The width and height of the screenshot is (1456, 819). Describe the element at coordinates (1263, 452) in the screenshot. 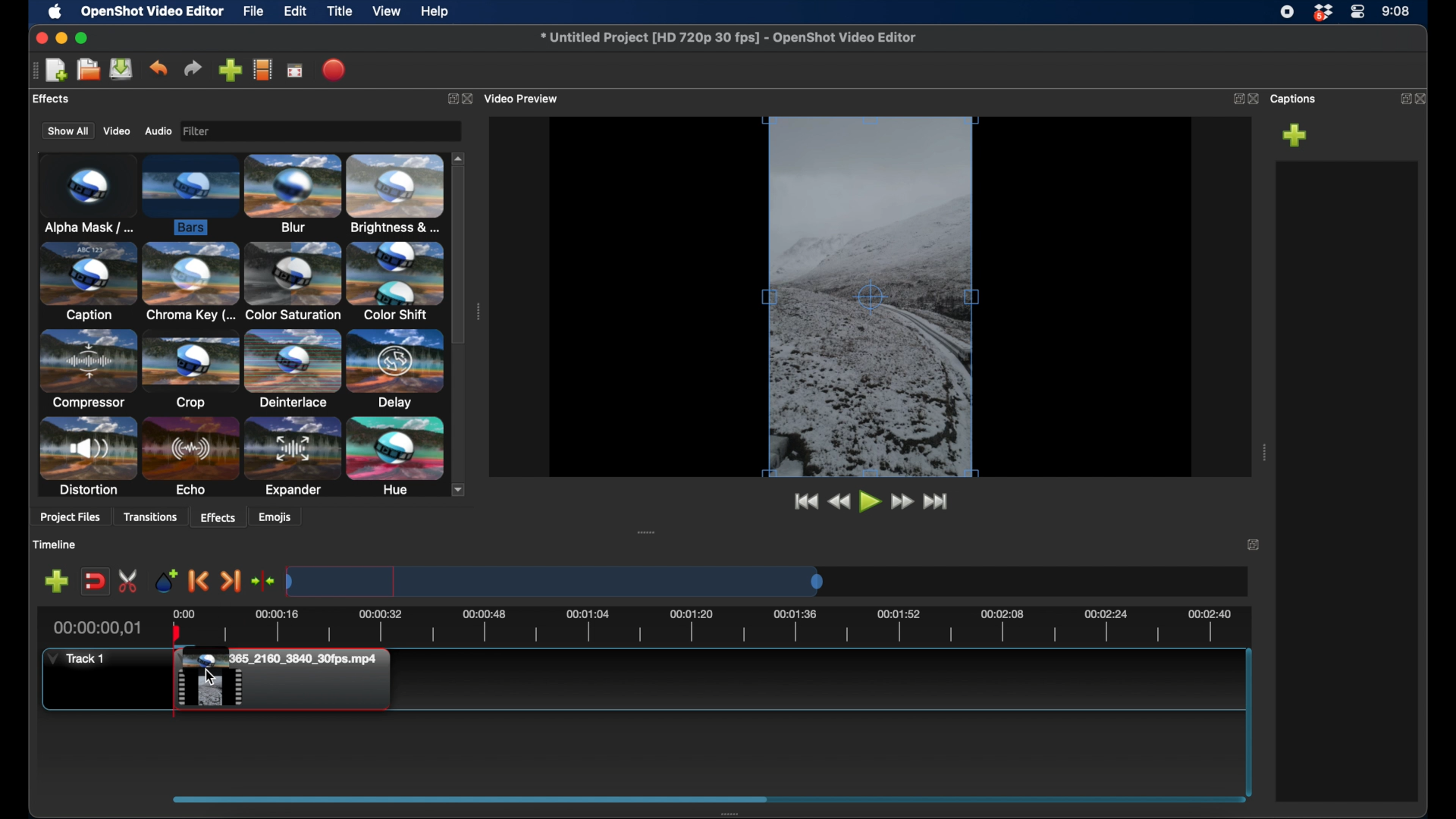

I see `drag handle` at that location.